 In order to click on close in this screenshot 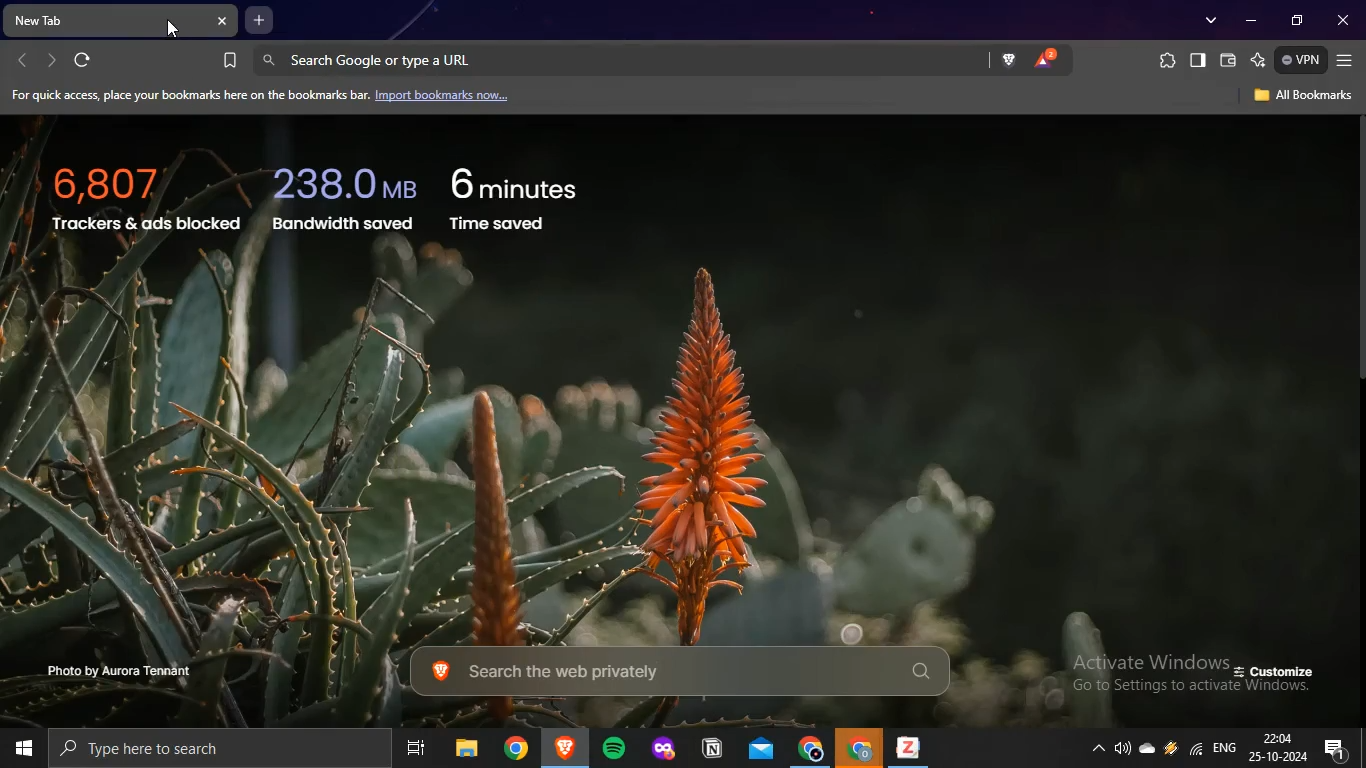, I will do `click(225, 20)`.